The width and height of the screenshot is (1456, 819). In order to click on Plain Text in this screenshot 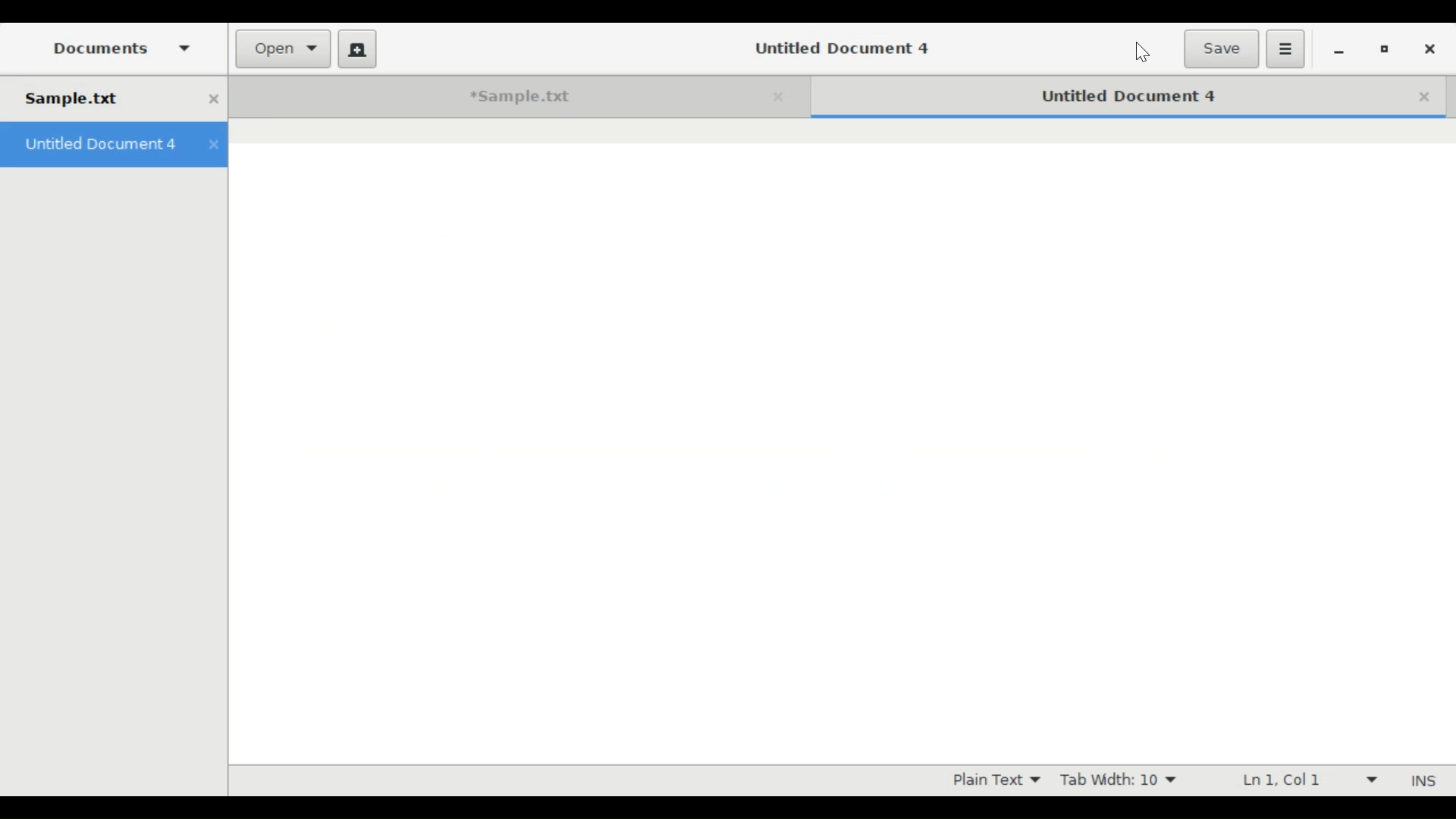, I will do `click(996, 780)`.